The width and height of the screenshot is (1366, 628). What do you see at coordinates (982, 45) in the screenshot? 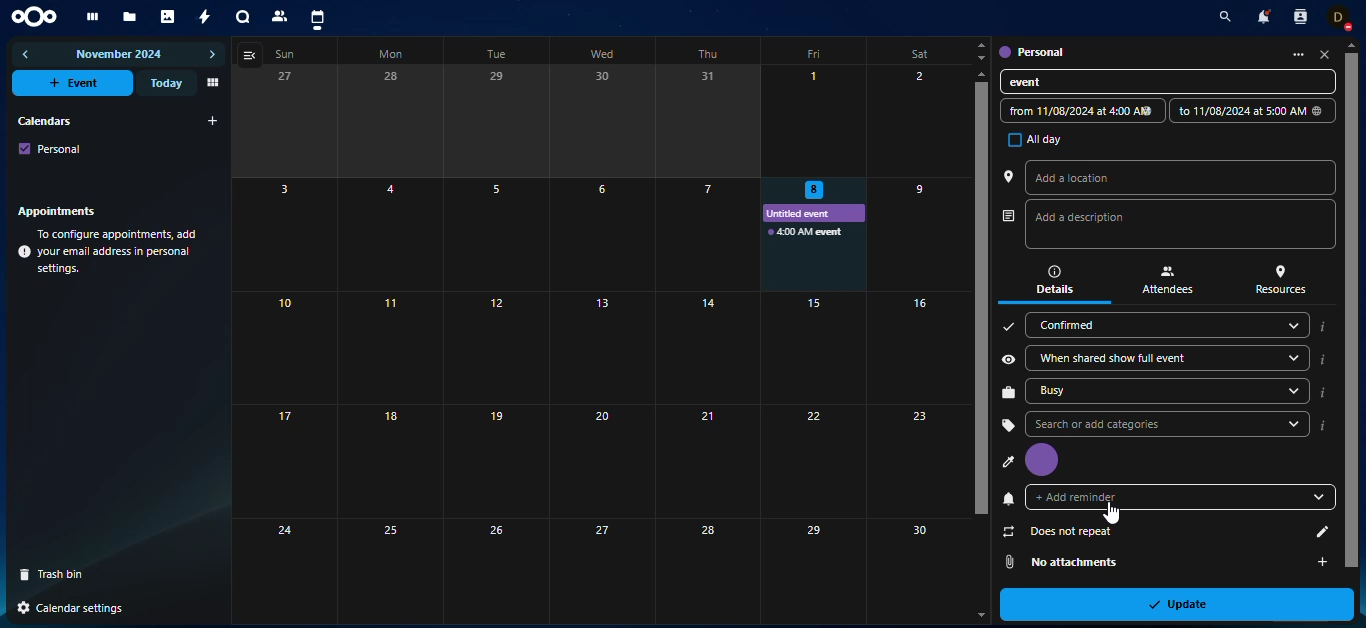
I see `Up` at bounding box center [982, 45].